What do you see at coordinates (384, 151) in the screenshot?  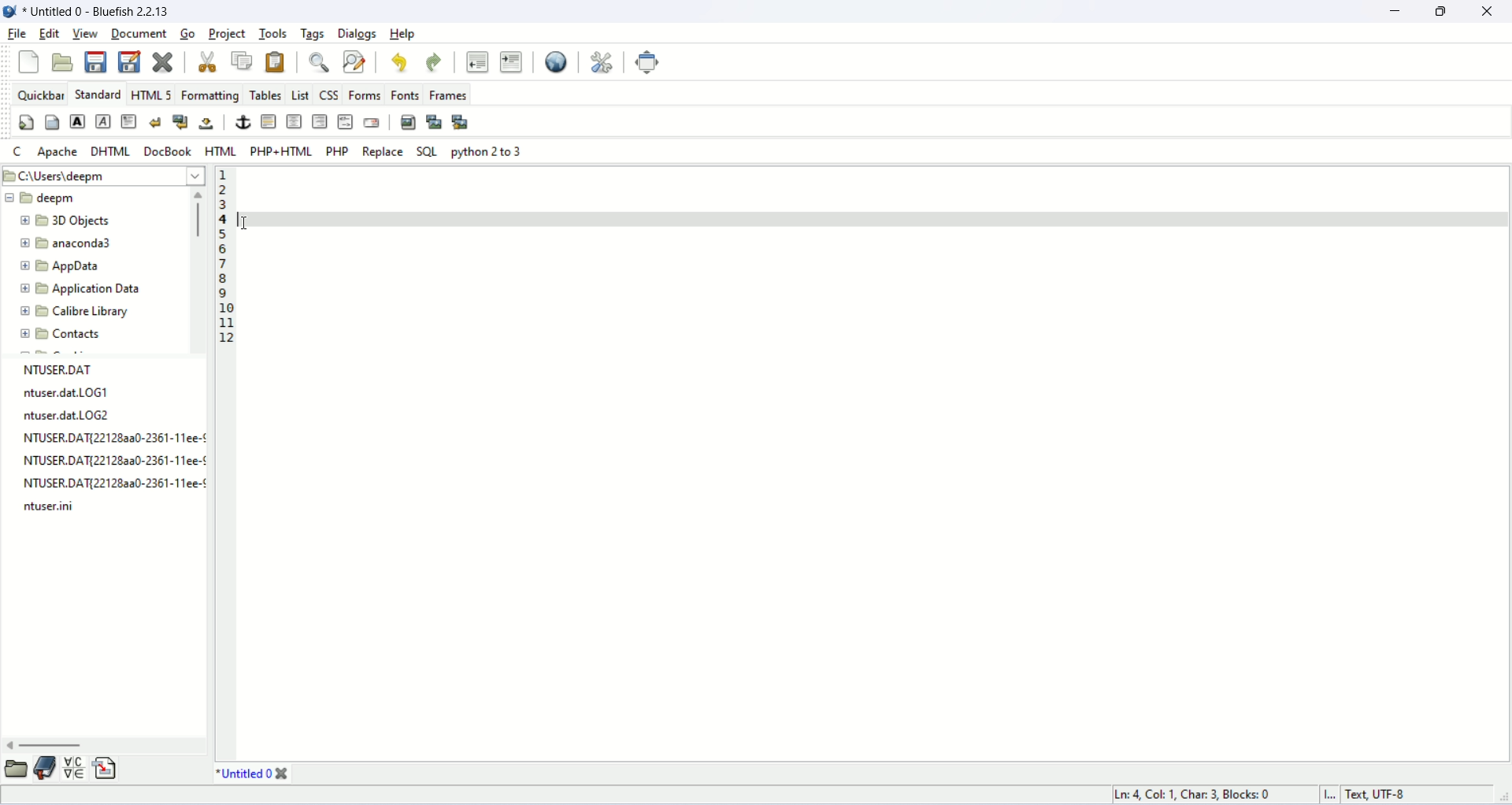 I see `Replace` at bounding box center [384, 151].